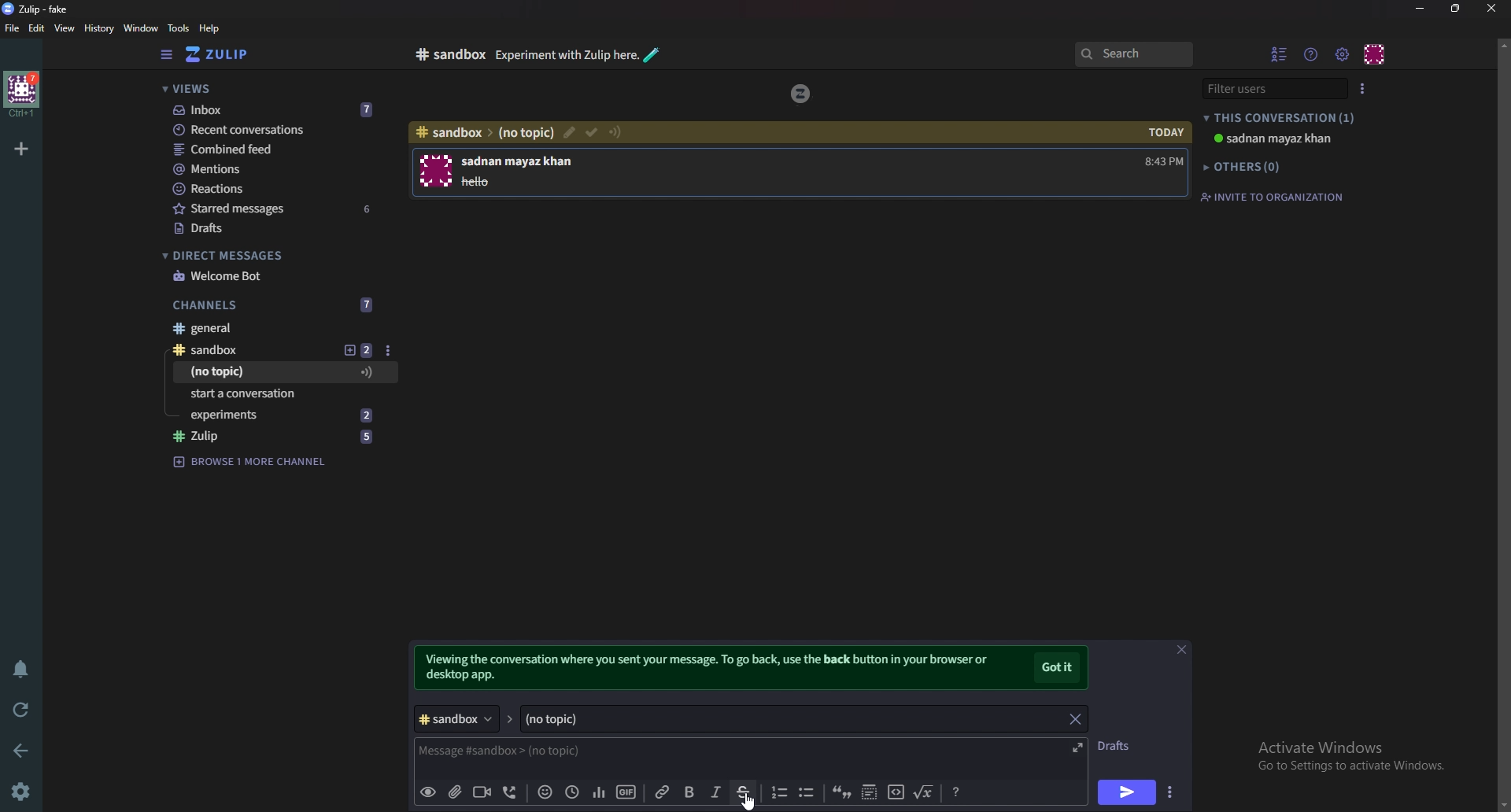 The width and height of the screenshot is (1511, 812). Describe the element at coordinates (65, 27) in the screenshot. I see `view` at that location.